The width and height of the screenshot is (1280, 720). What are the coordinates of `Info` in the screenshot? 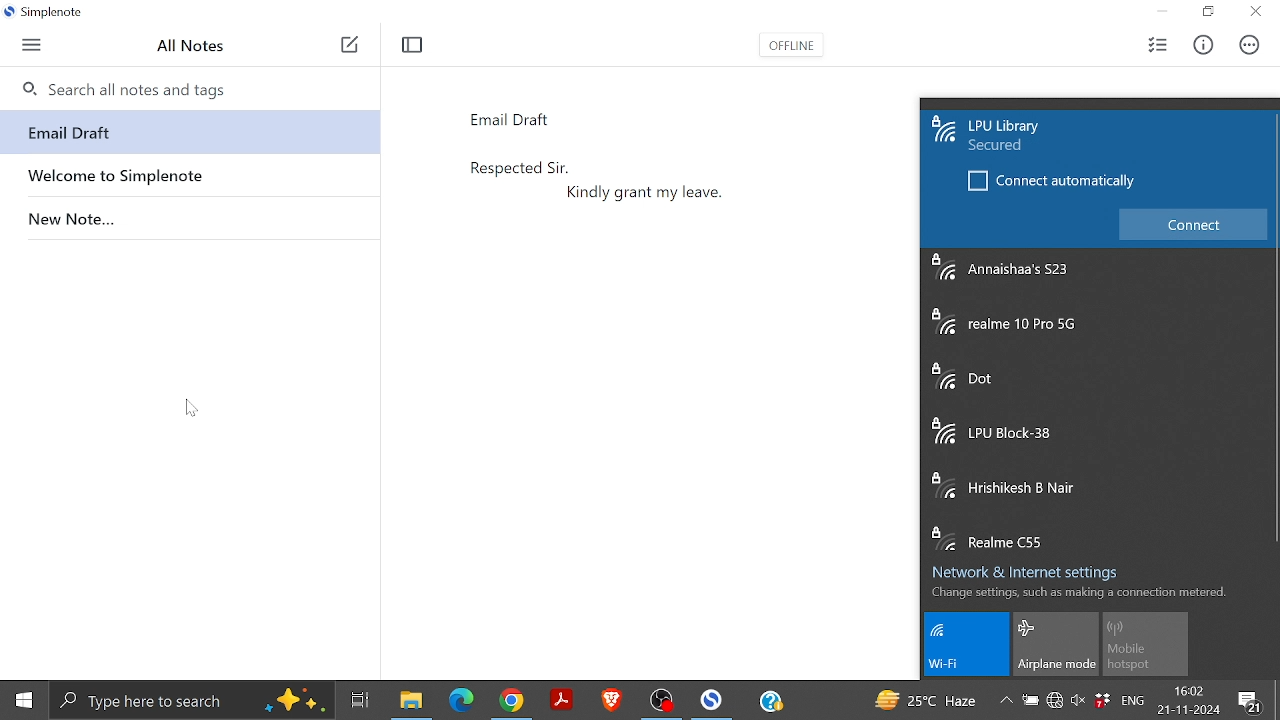 It's located at (1202, 46).